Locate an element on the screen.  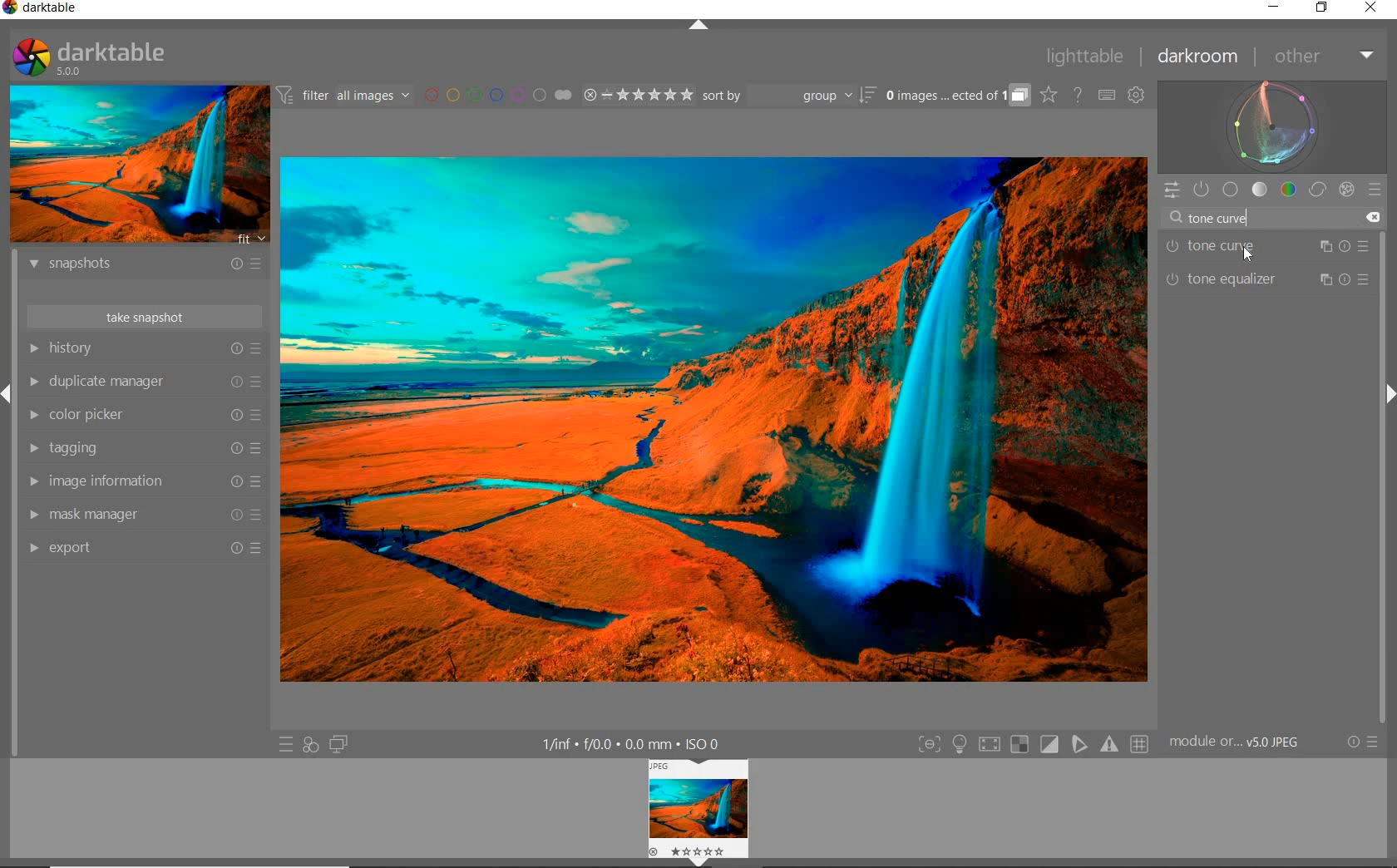
duplicate manager is located at coordinates (144, 381).